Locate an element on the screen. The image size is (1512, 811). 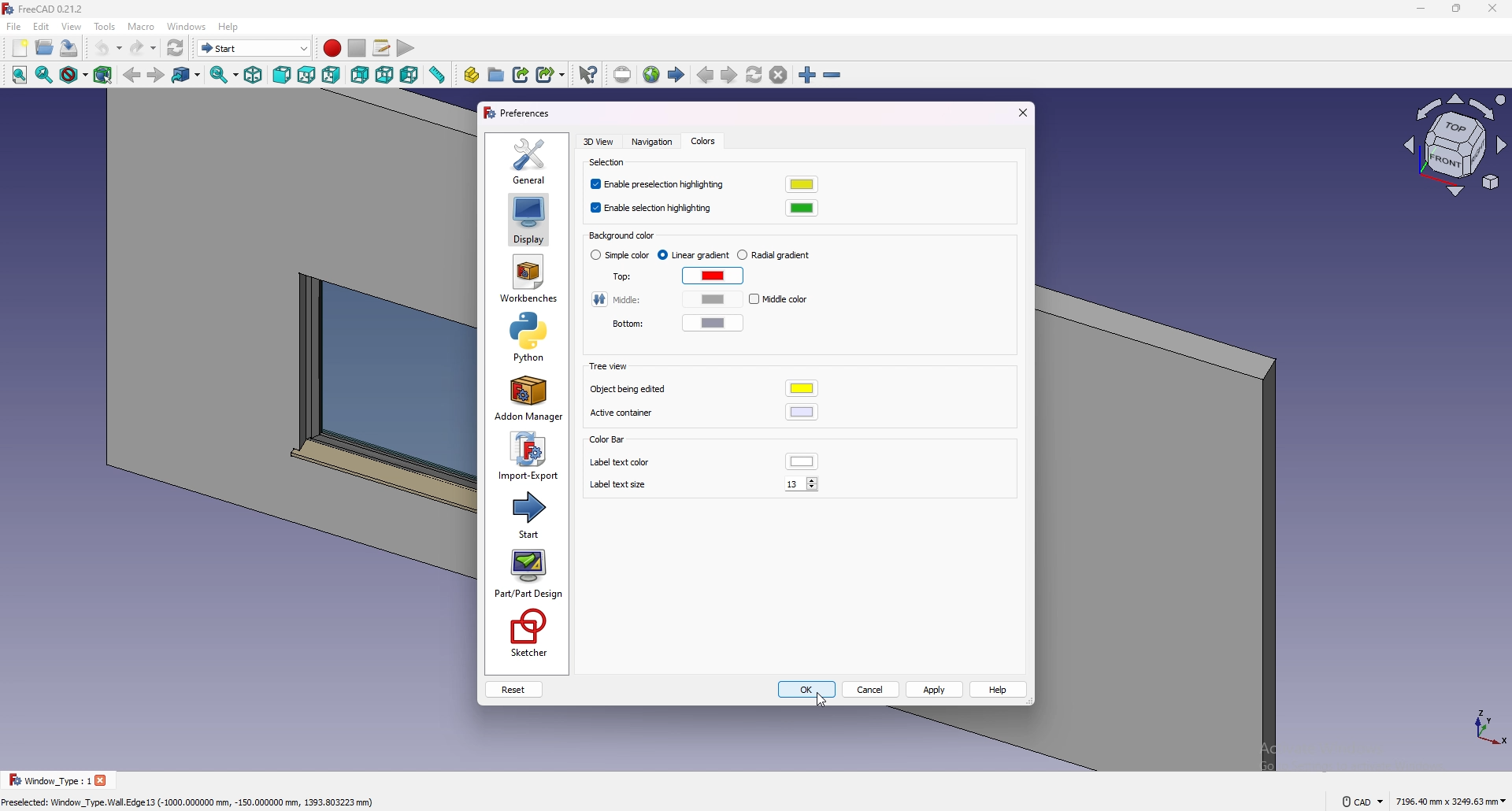
python is located at coordinates (526, 337).